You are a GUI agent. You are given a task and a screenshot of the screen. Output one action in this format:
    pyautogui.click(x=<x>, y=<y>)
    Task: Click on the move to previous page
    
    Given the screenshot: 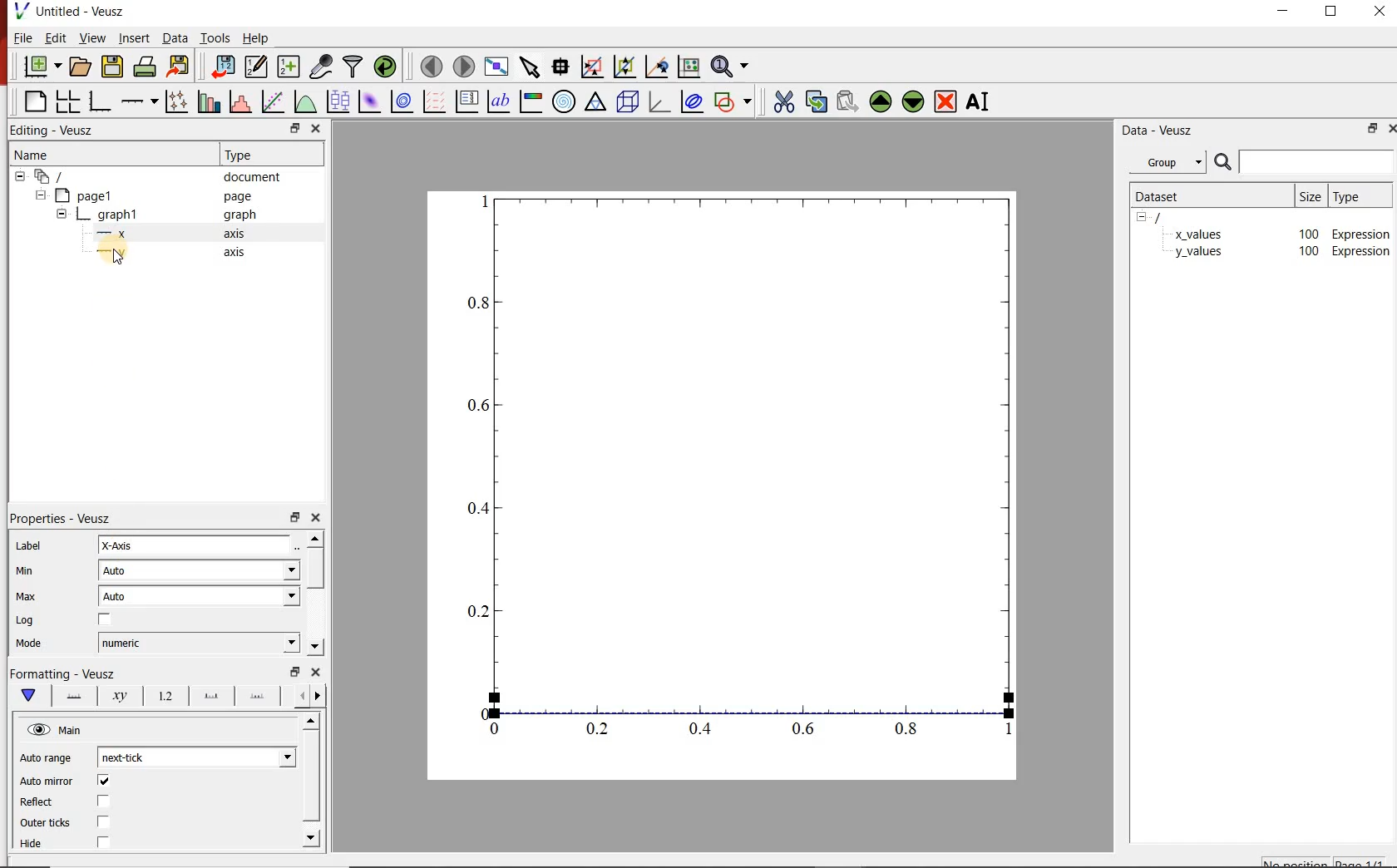 What is the action you would take?
    pyautogui.click(x=431, y=67)
    